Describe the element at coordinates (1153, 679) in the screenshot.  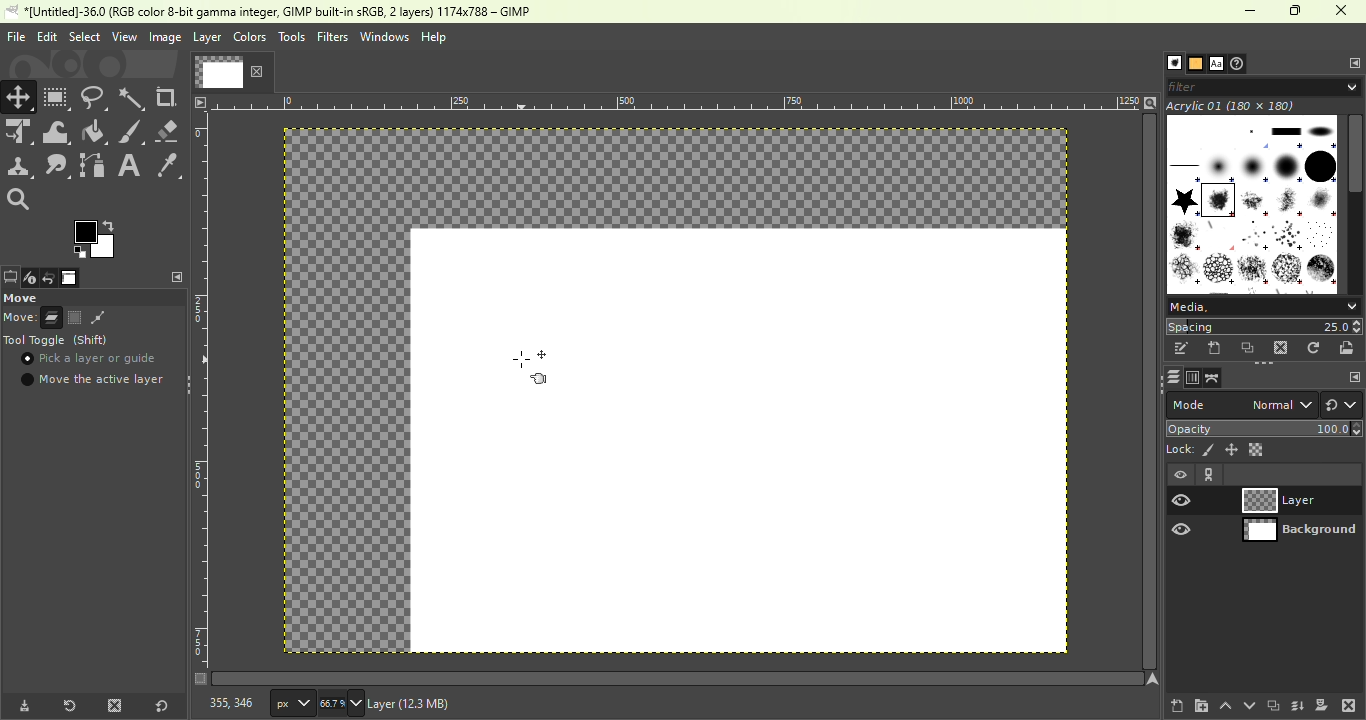
I see `Navigate` at that location.